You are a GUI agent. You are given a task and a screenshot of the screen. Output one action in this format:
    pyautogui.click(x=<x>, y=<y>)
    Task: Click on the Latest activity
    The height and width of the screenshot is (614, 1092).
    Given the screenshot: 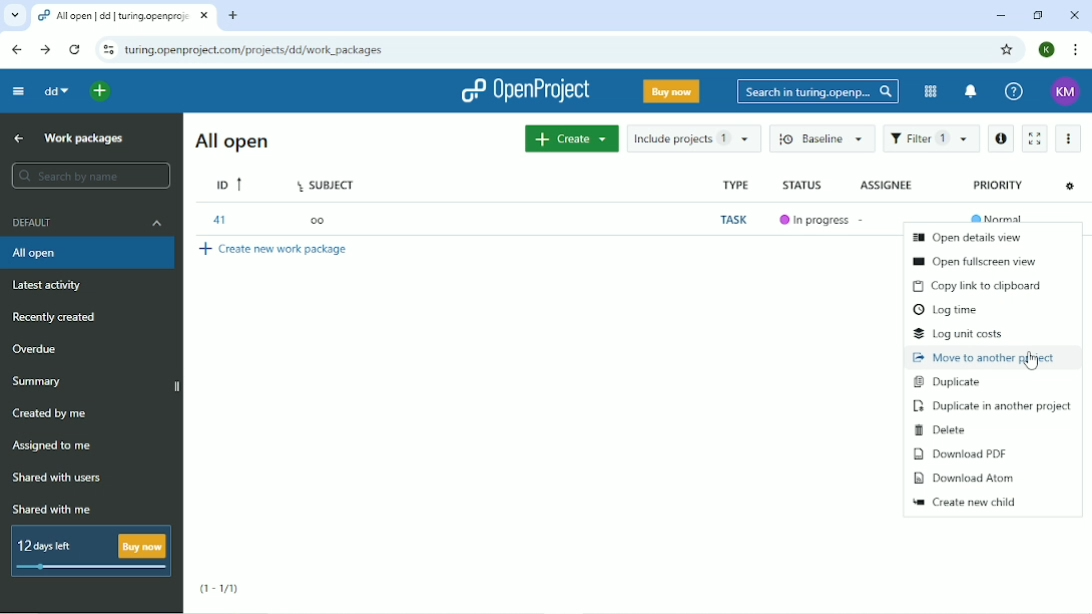 What is the action you would take?
    pyautogui.click(x=50, y=285)
    